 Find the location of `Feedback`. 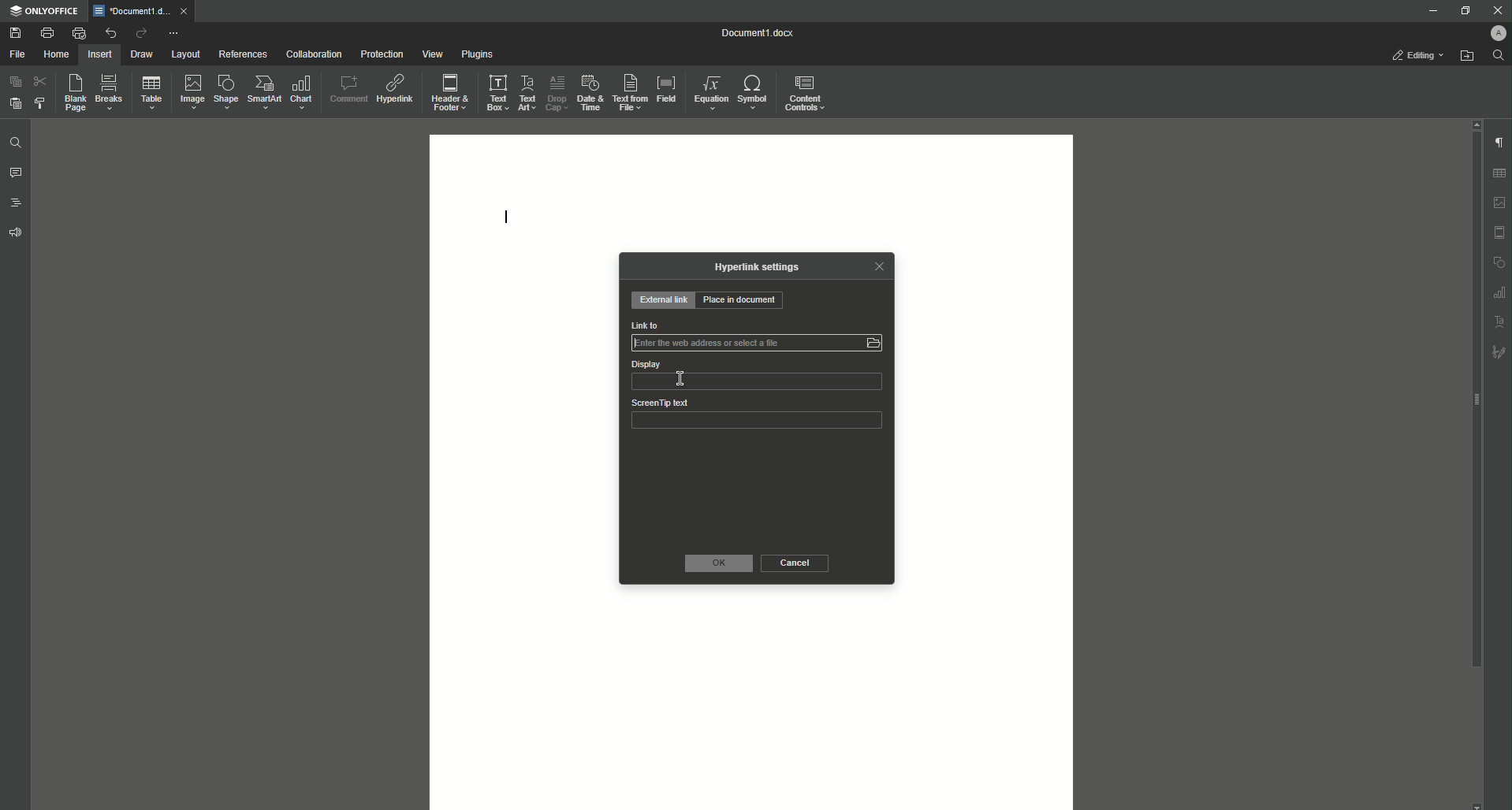

Feedback is located at coordinates (16, 232).